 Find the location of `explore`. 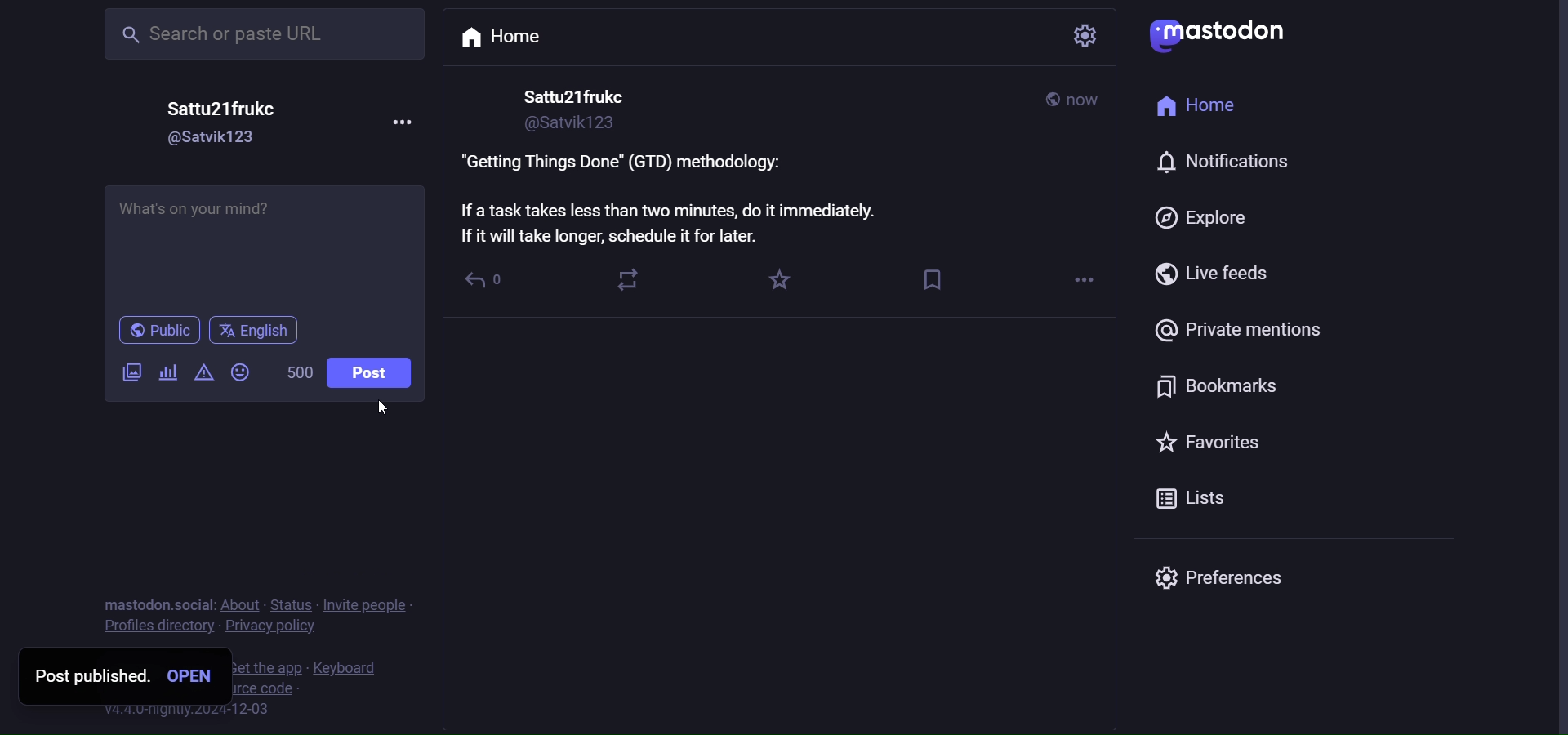

explore is located at coordinates (1209, 217).